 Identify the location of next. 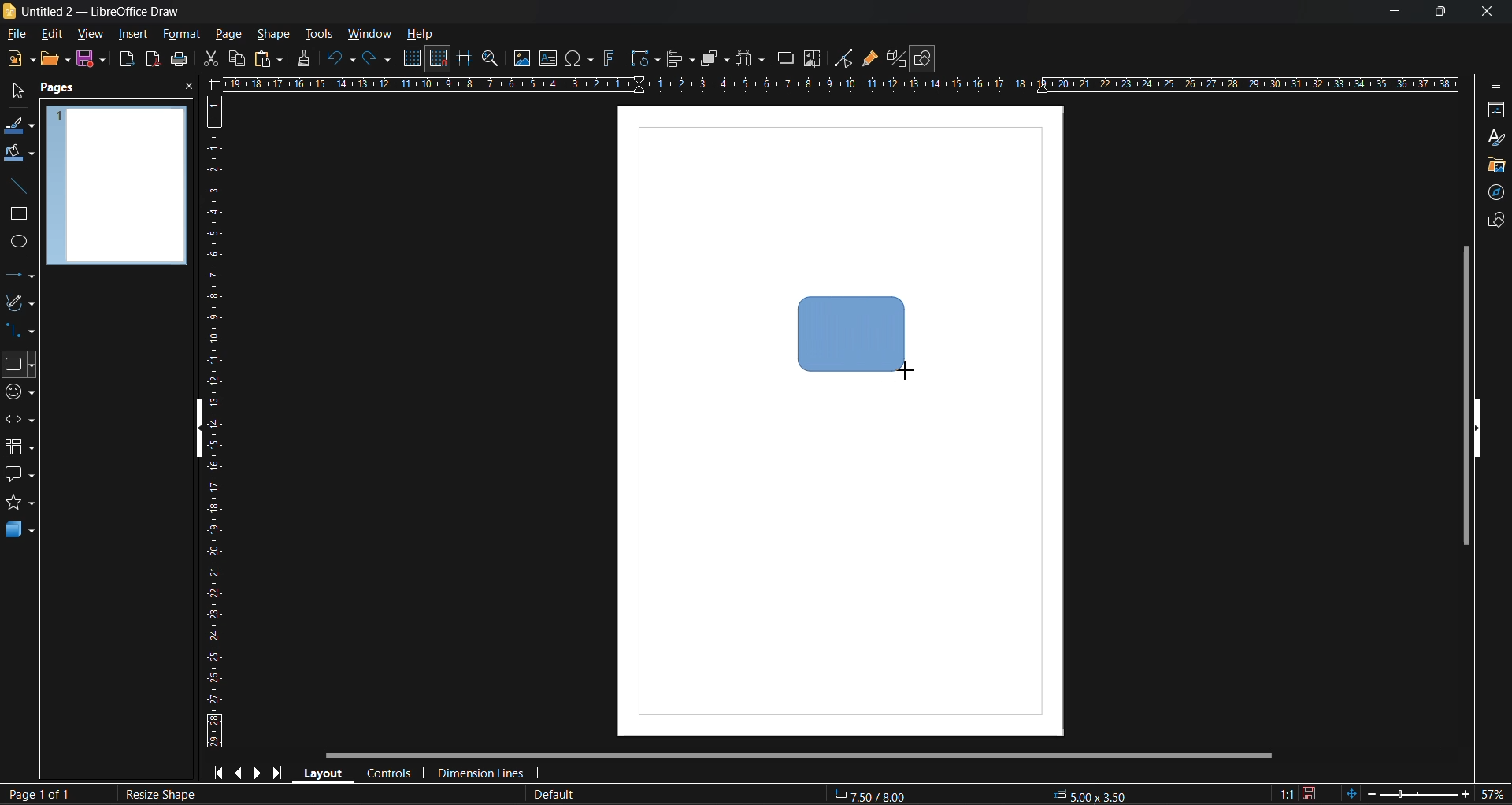
(258, 772).